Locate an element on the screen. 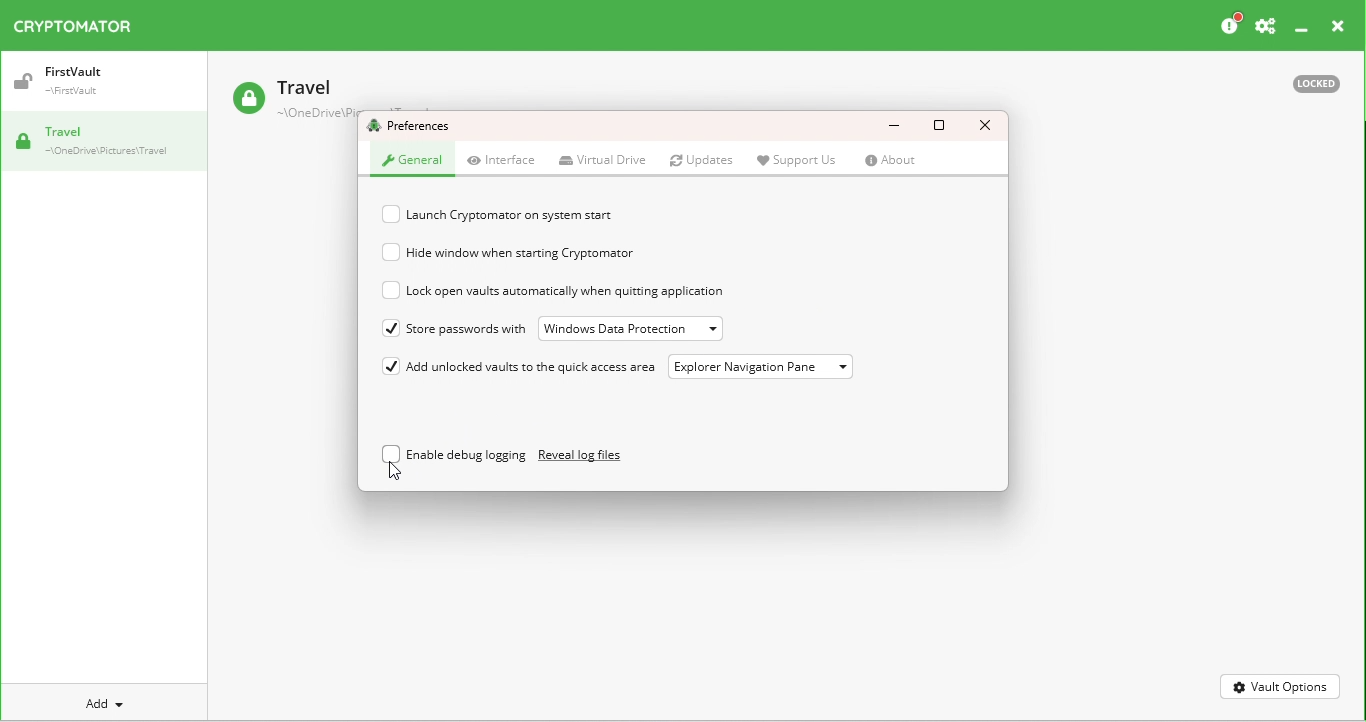  Drop down menu is located at coordinates (631, 328).